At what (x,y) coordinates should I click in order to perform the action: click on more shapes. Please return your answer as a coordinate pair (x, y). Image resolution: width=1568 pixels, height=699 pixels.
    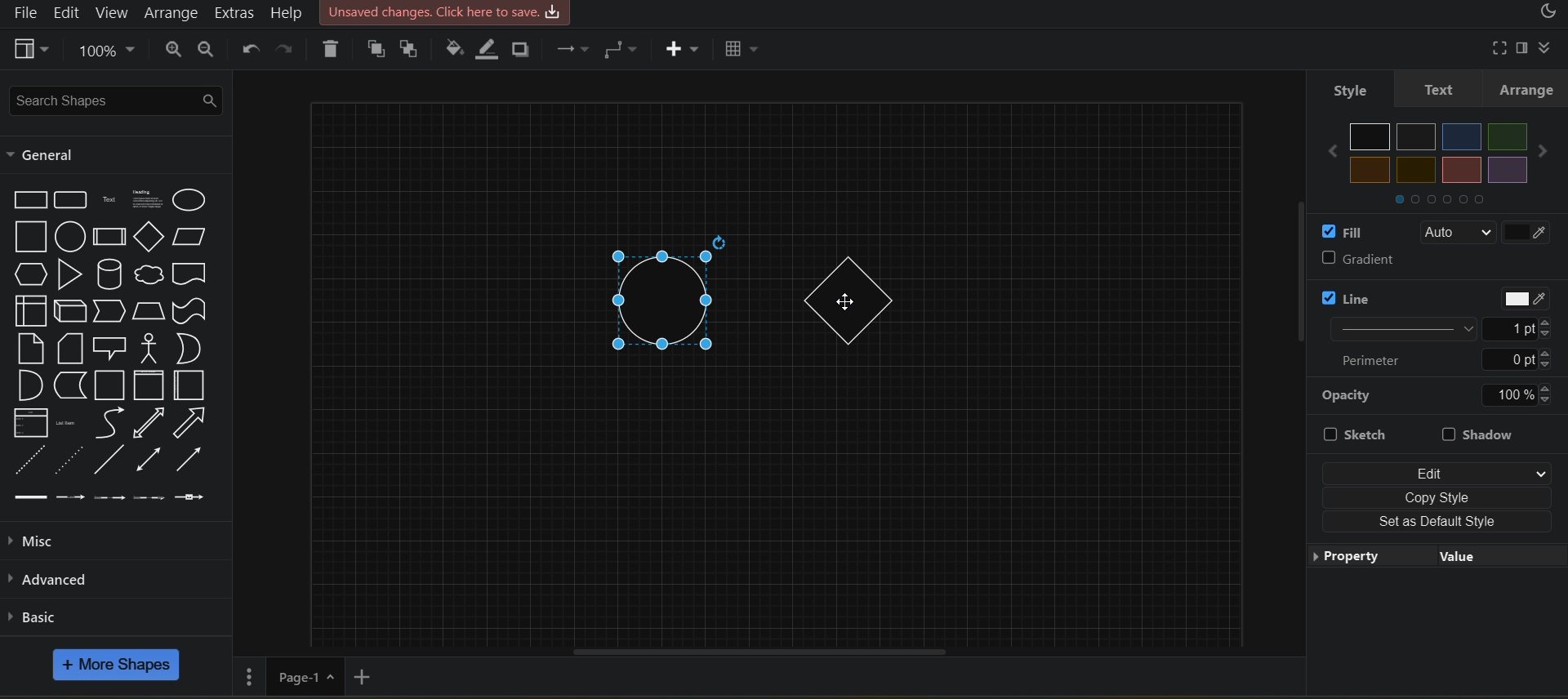
    Looking at the image, I should click on (113, 664).